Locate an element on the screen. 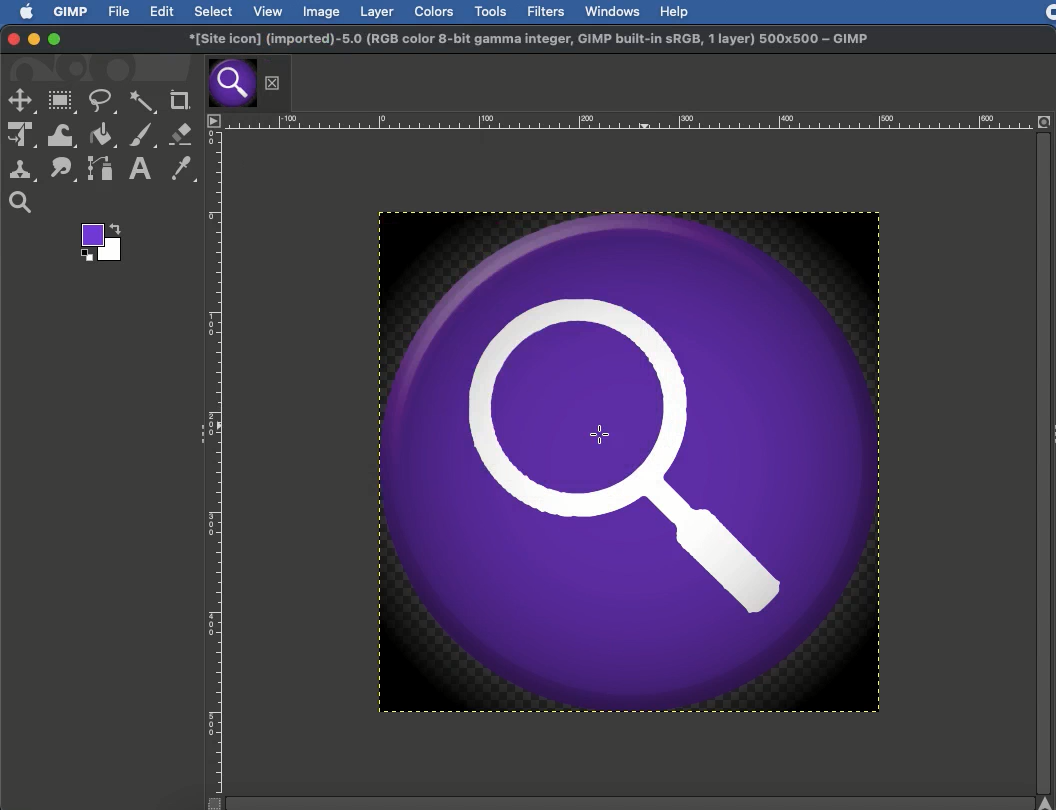  Color picker is located at coordinates (182, 167).